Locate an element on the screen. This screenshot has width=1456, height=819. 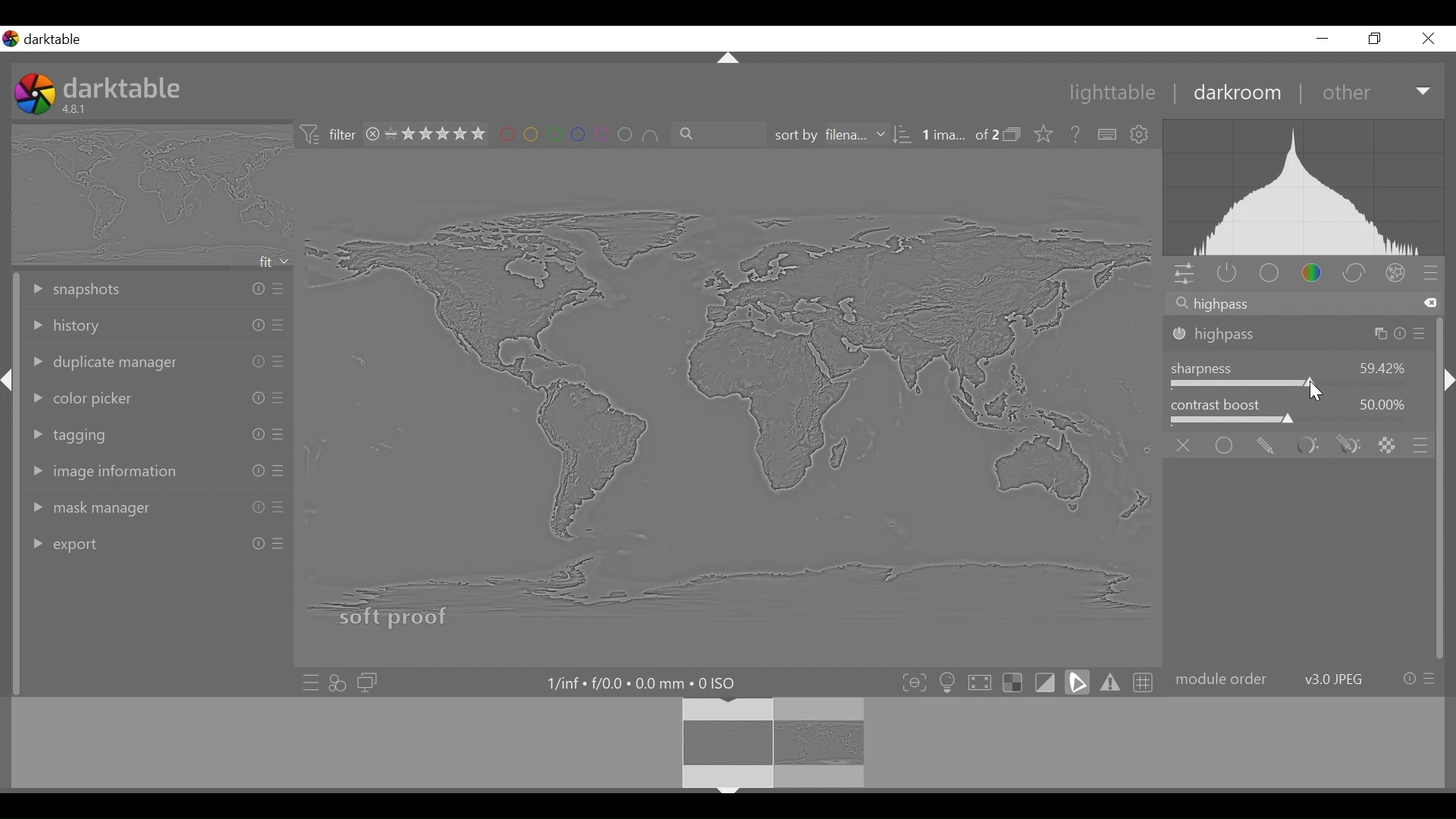
snapshots is located at coordinates (157, 287).